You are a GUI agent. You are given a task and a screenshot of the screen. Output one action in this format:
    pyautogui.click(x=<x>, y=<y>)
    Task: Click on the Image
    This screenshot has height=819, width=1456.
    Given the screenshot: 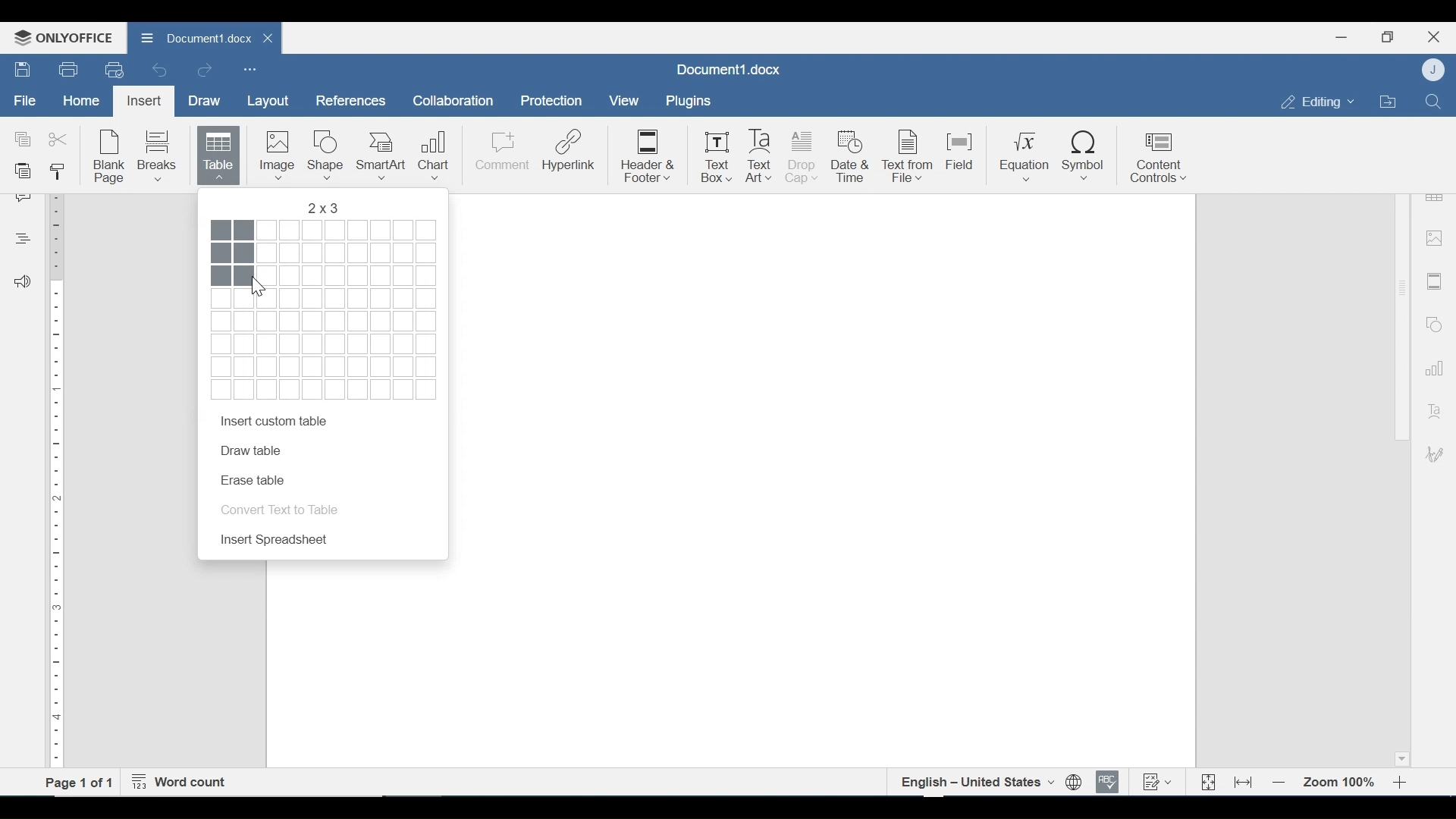 What is the action you would take?
    pyautogui.click(x=276, y=157)
    